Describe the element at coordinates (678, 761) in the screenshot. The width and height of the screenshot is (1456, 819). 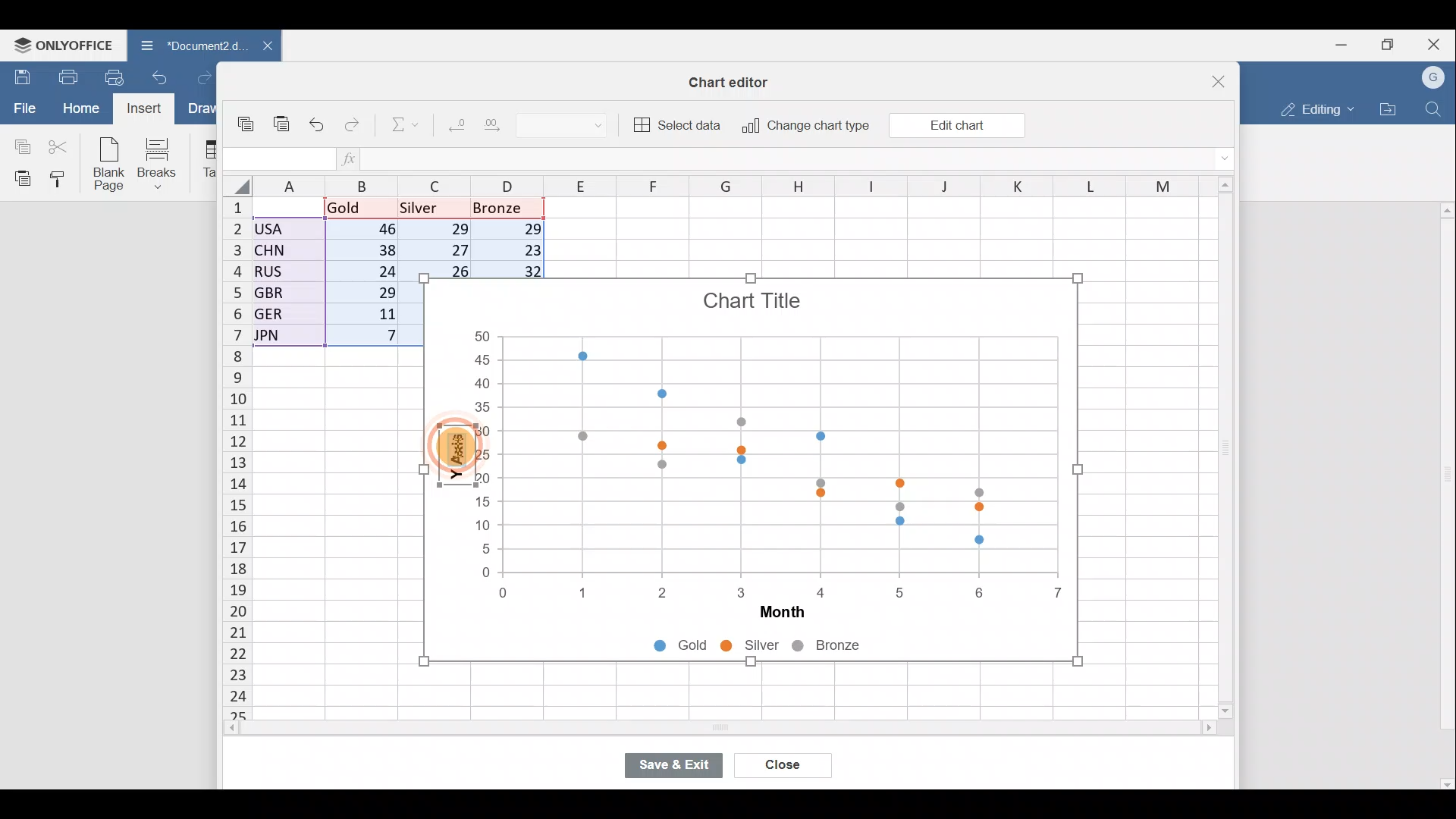
I see `Save & exit` at that location.